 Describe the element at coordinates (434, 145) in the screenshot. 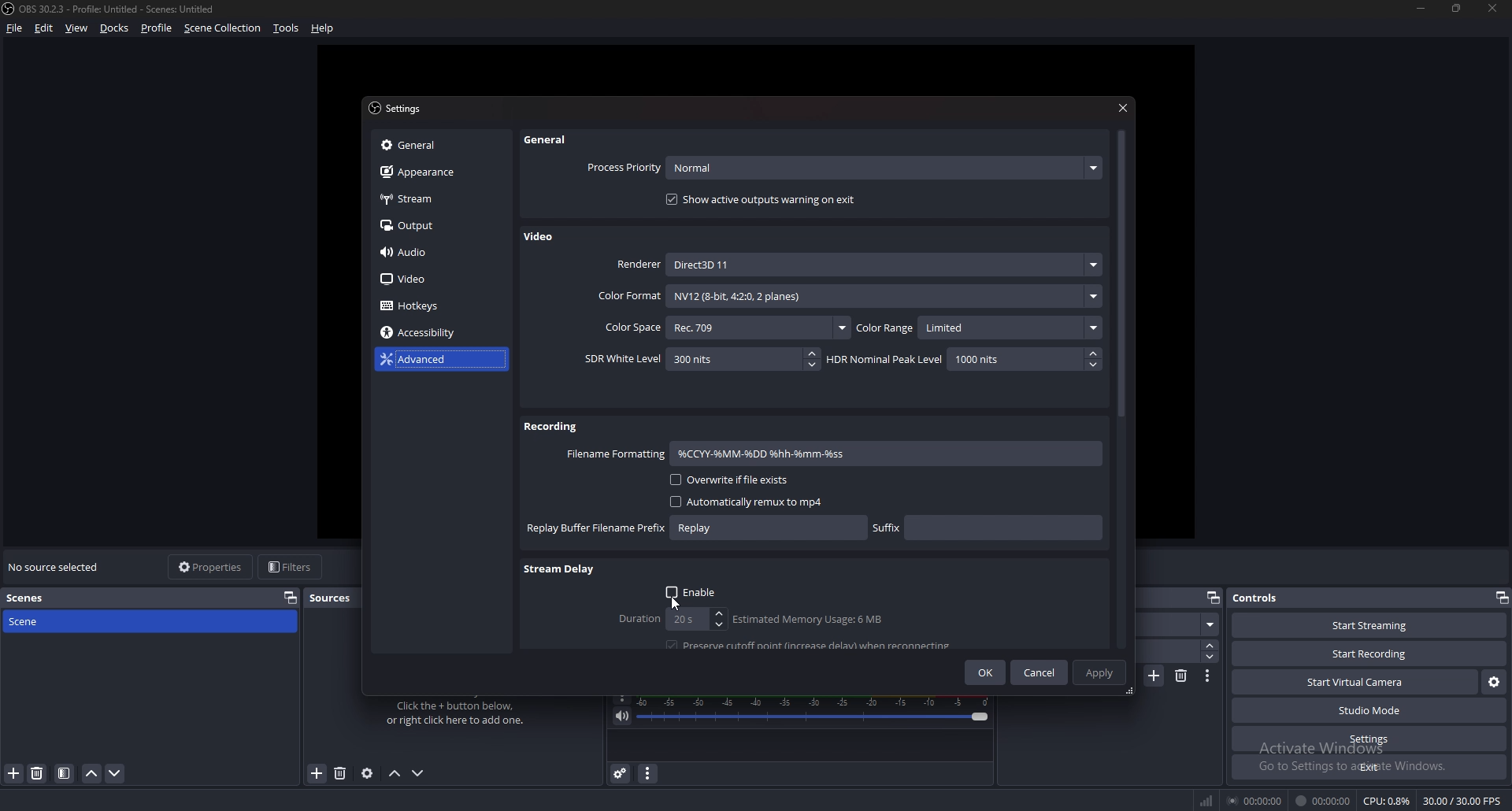

I see `general` at that location.